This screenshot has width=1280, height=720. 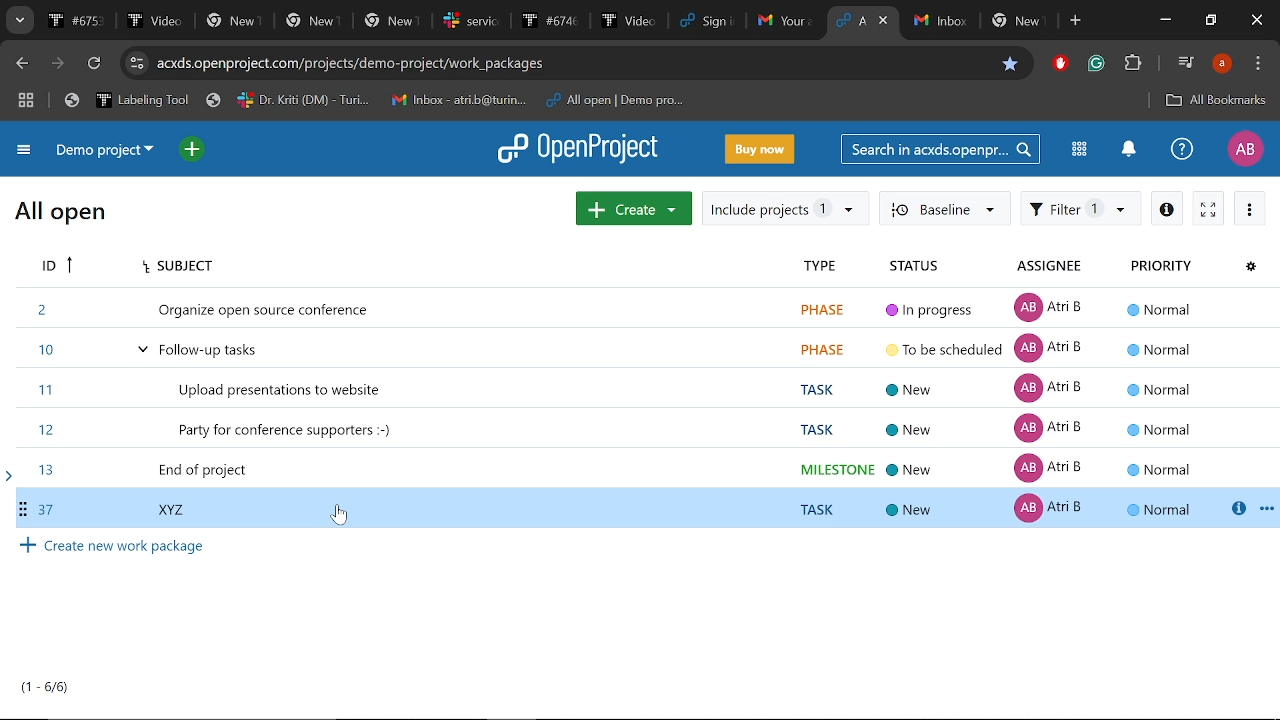 I want to click on Refresh, so click(x=97, y=64).